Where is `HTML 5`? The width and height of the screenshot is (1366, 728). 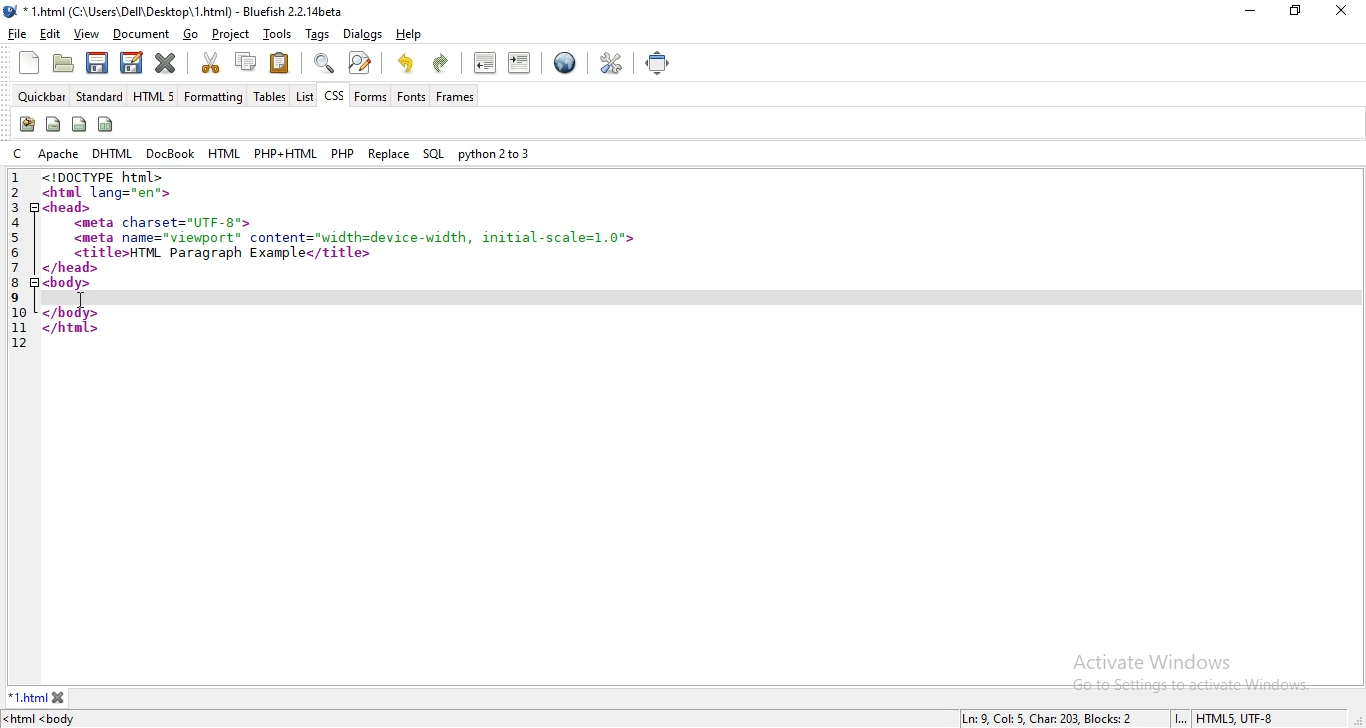 HTML 5 is located at coordinates (153, 94).